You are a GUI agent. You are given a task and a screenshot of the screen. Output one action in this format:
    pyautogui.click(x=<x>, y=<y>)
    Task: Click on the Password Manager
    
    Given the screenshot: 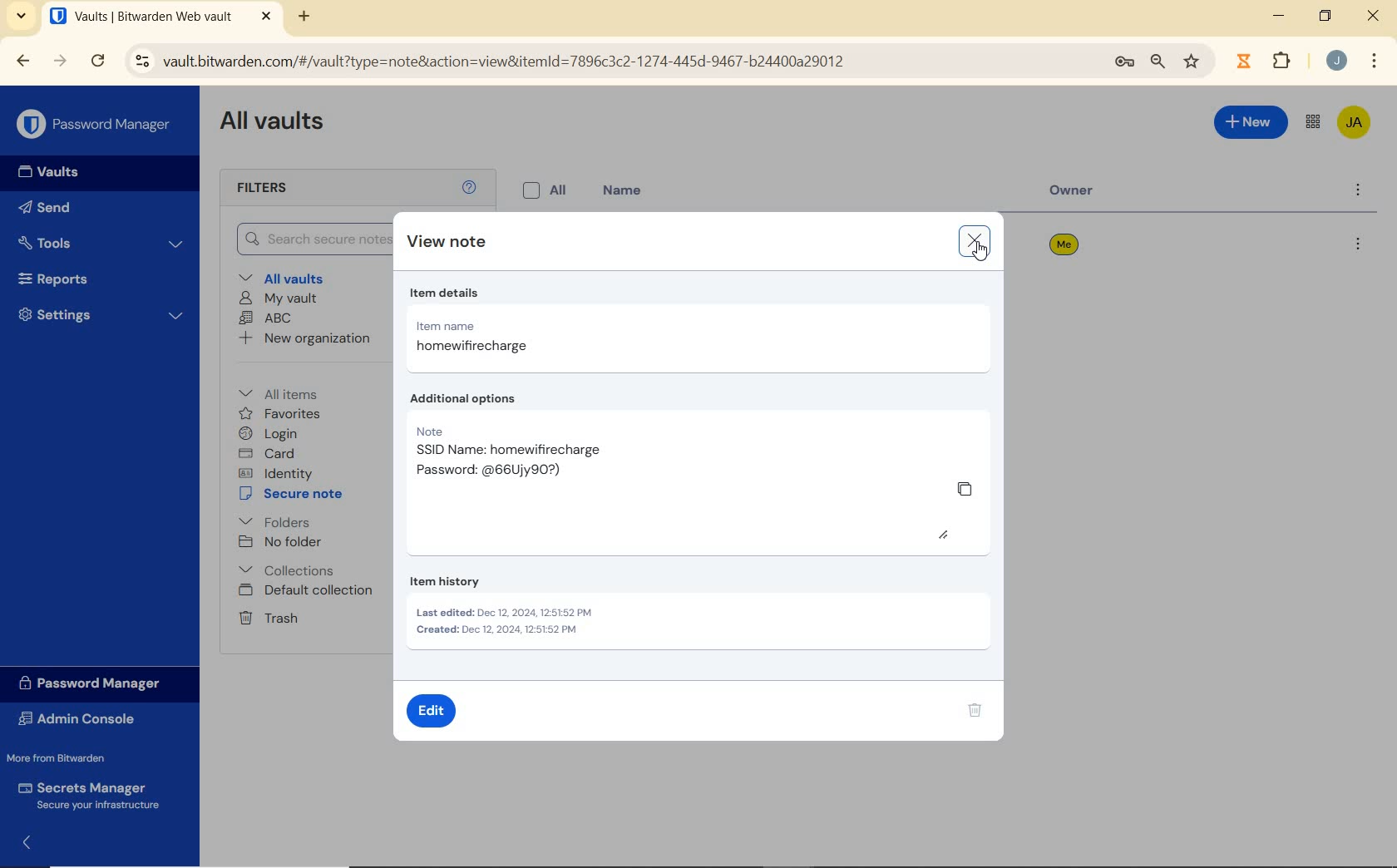 What is the action you would take?
    pyautogui.click(x=95, y=125)
    